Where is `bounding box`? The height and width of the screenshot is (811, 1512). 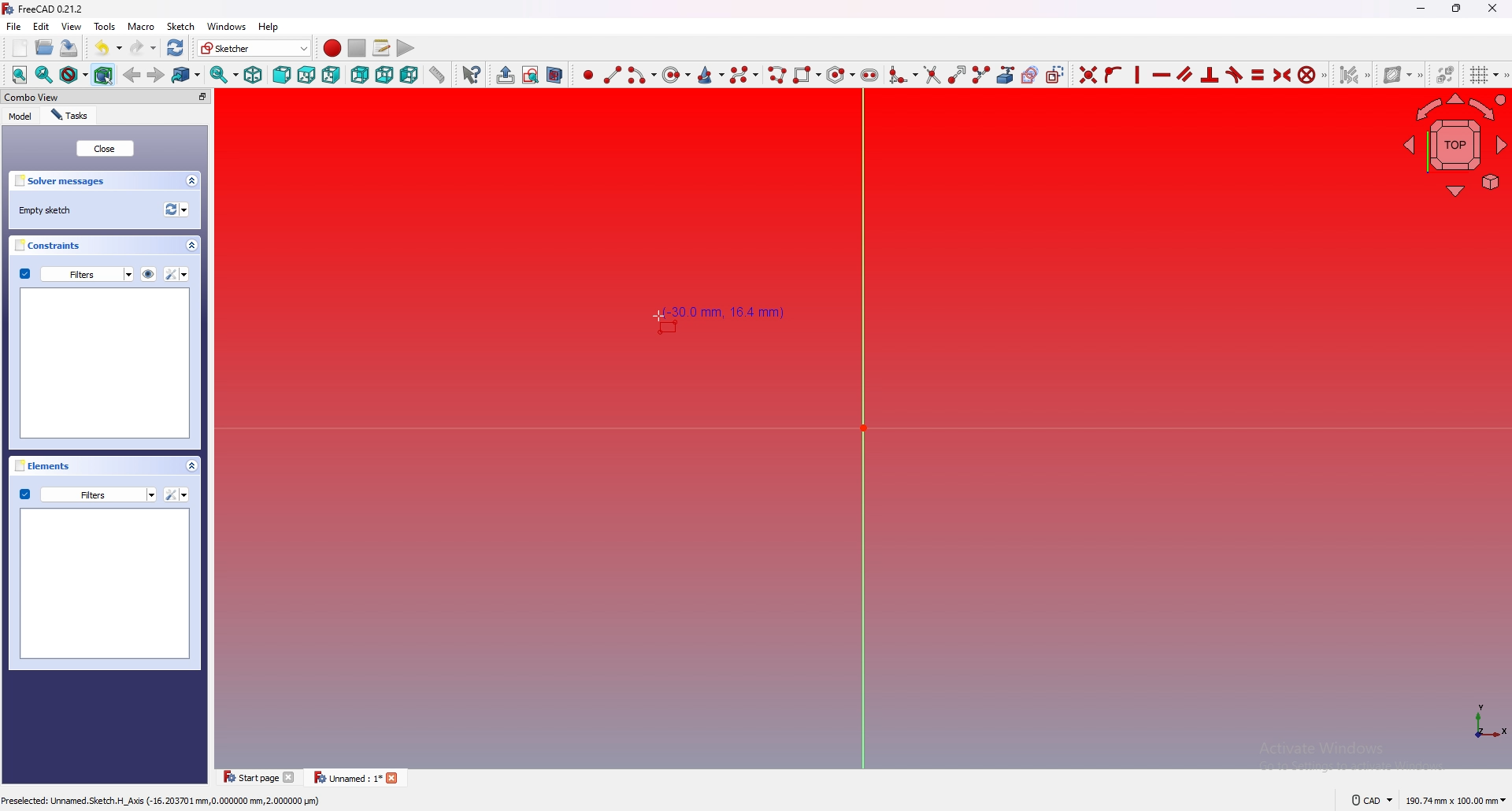
bounding box is located at coordinates (104, 75).